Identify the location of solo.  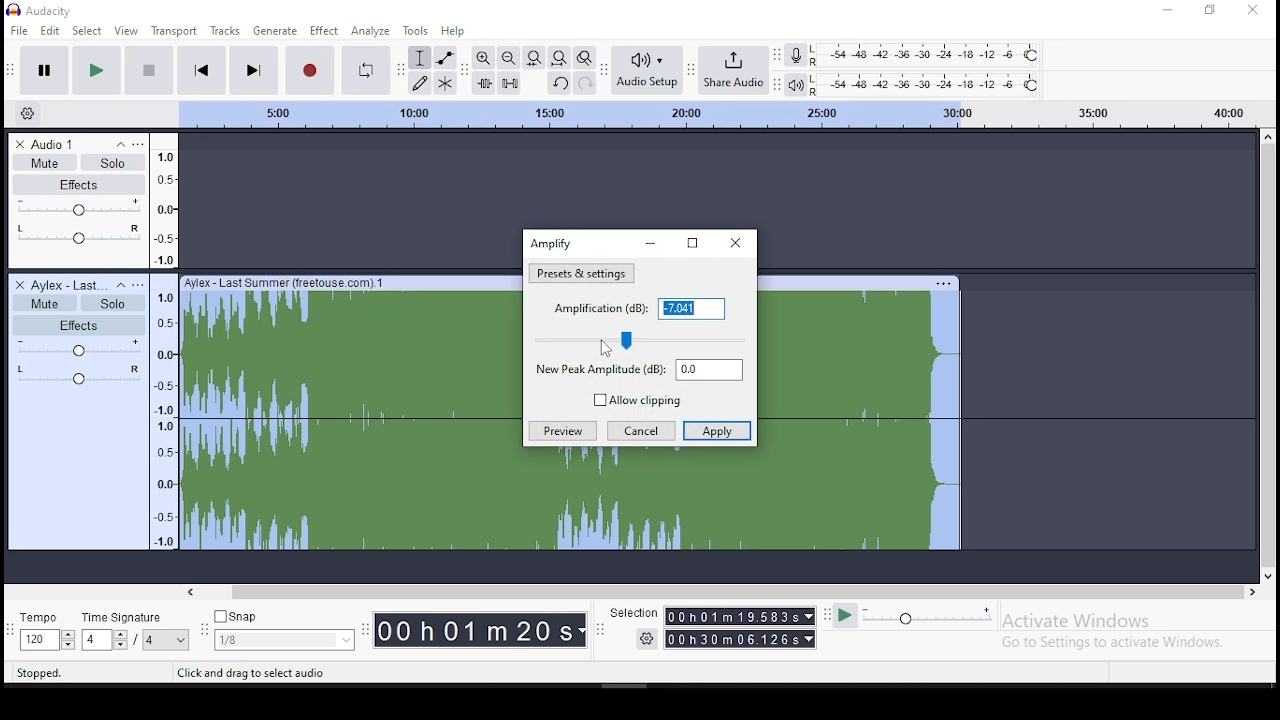
(113, 162).